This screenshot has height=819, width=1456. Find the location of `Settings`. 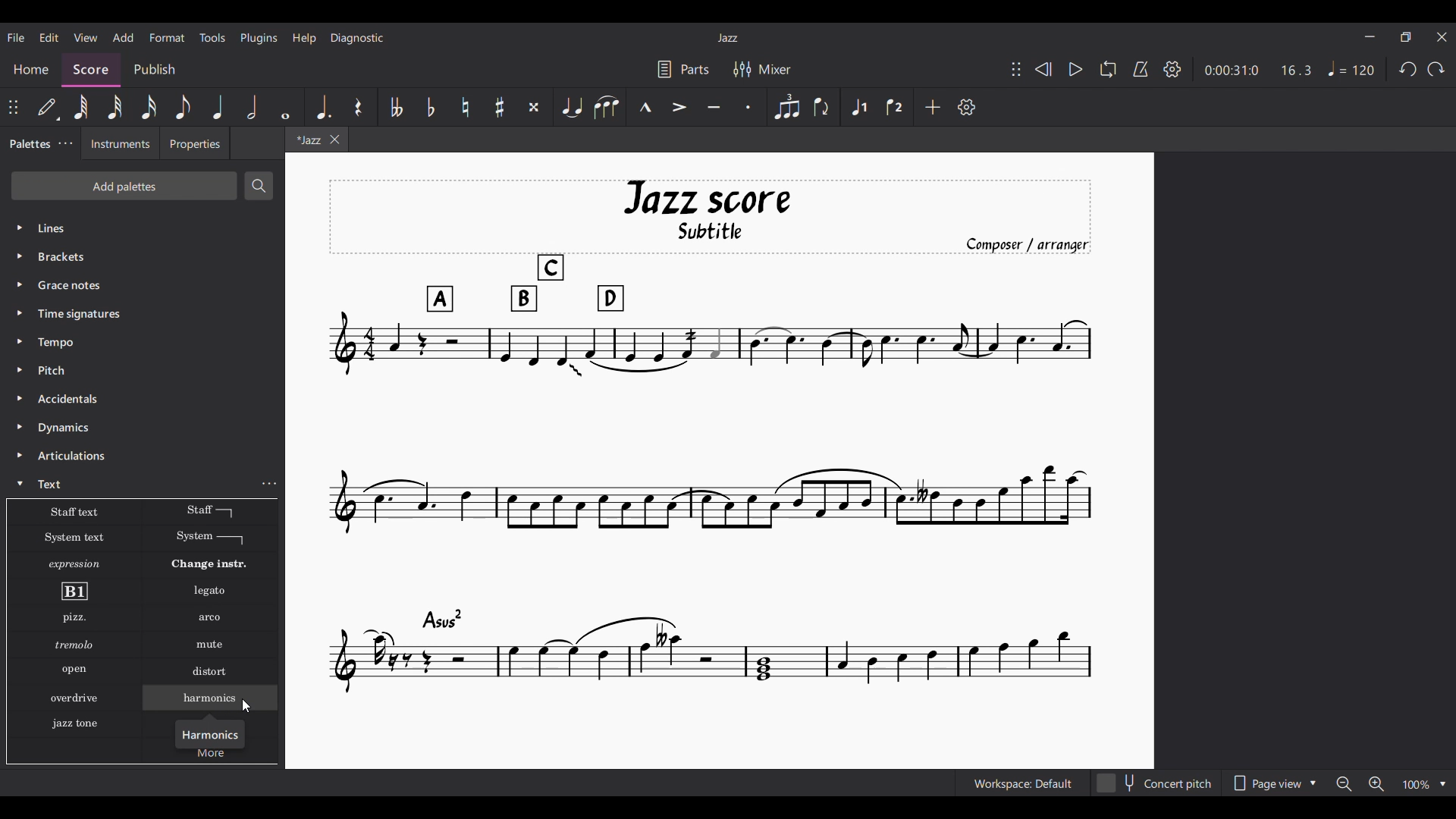

Settings is located at coordinates (1172, 70).